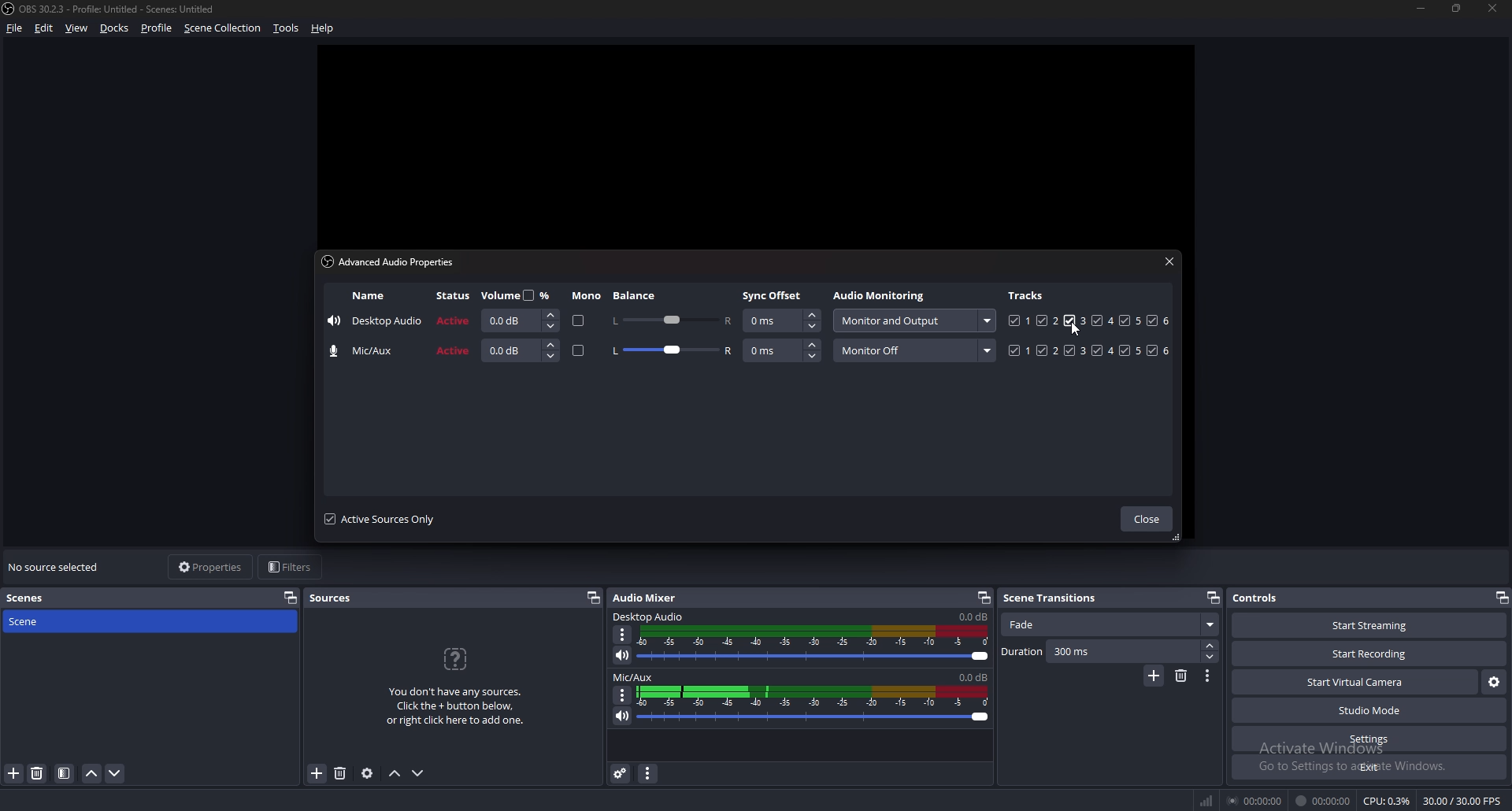  I want to click on name, so click(369, 296).